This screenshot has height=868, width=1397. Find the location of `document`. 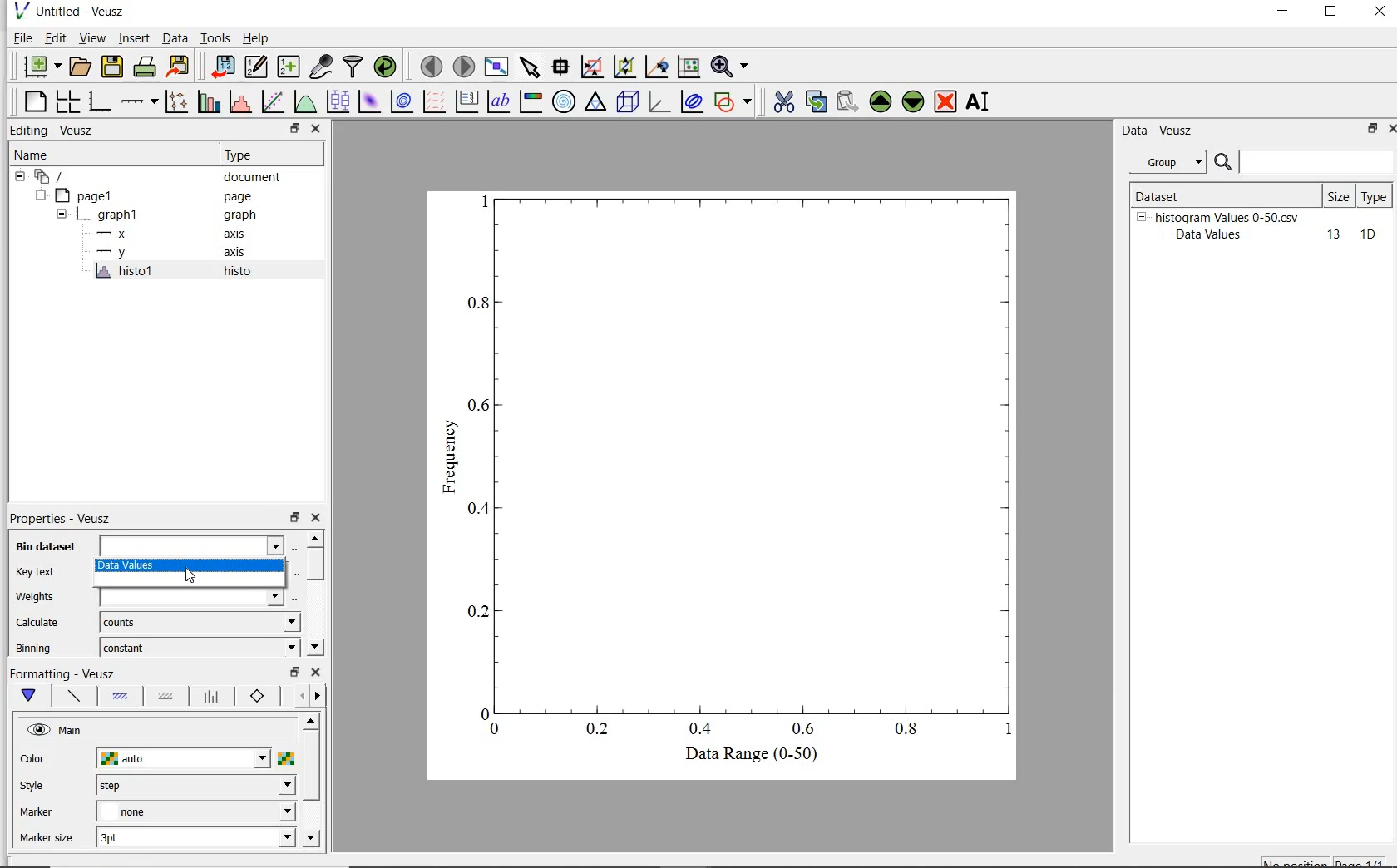

document is located at coordinates (253, 179).